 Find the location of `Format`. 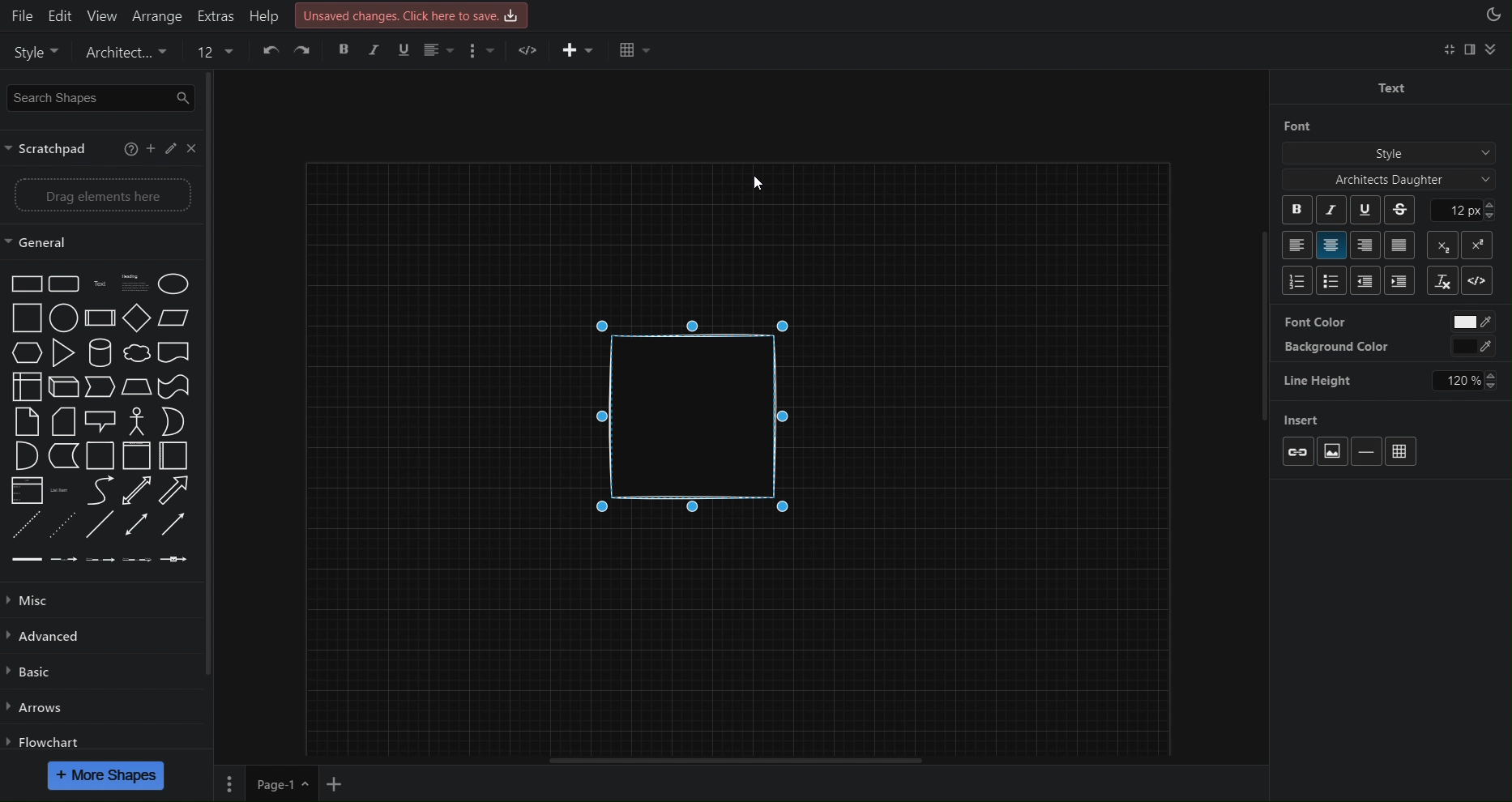

Format is located at coordinates (1474, 53).